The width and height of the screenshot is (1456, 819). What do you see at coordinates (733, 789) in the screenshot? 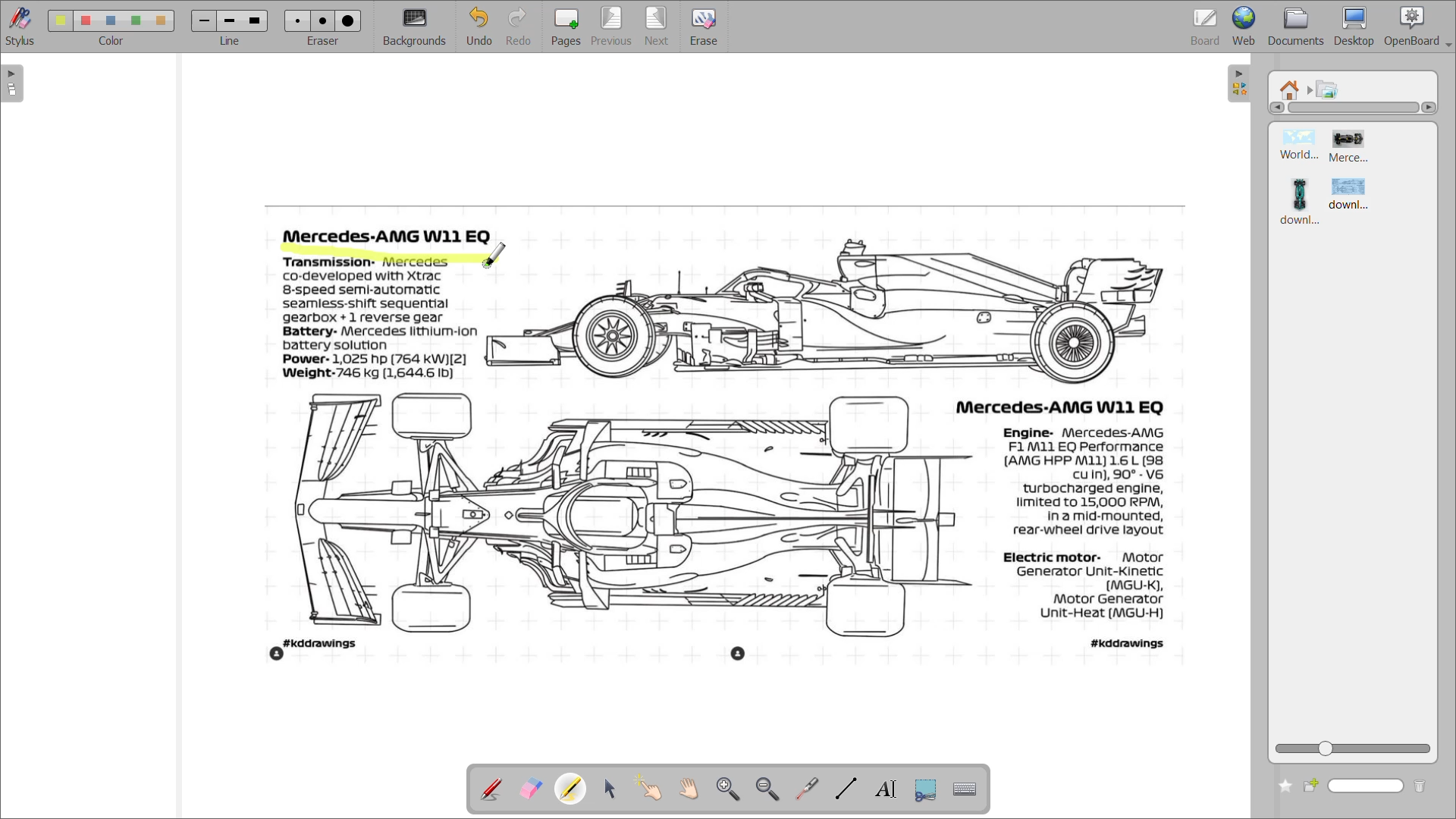
I see `zoom in` at bounding box center [733, 789].